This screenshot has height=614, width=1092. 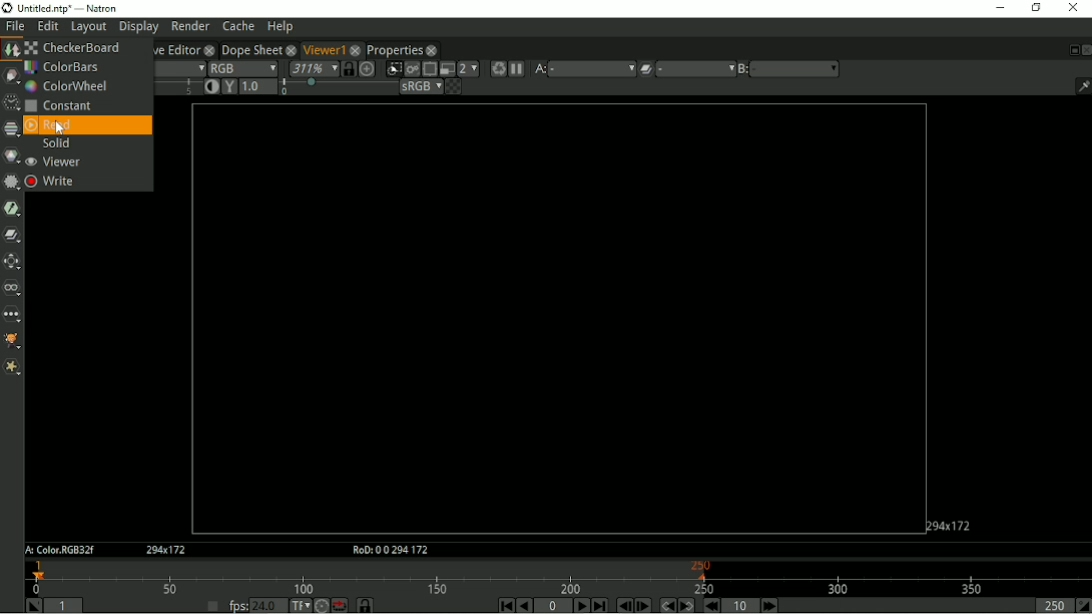 What do you see at coordinates (321, 48) in the screenshot?
I see `Viewer` at bounding box center [321, 48].